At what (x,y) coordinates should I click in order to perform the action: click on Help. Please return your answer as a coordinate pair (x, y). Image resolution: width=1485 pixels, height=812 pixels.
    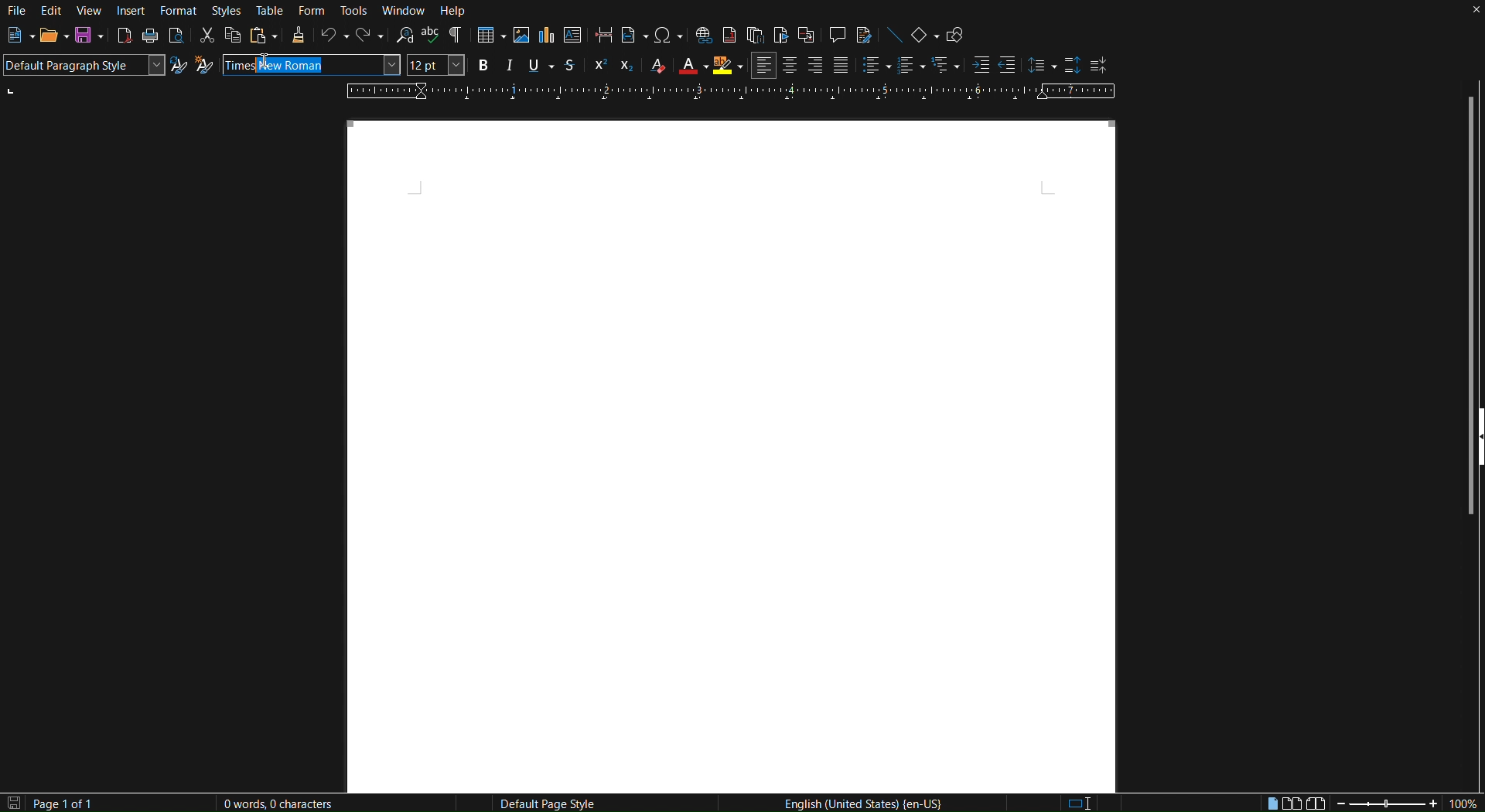
    Looking at the image, I should click on (457, 12).